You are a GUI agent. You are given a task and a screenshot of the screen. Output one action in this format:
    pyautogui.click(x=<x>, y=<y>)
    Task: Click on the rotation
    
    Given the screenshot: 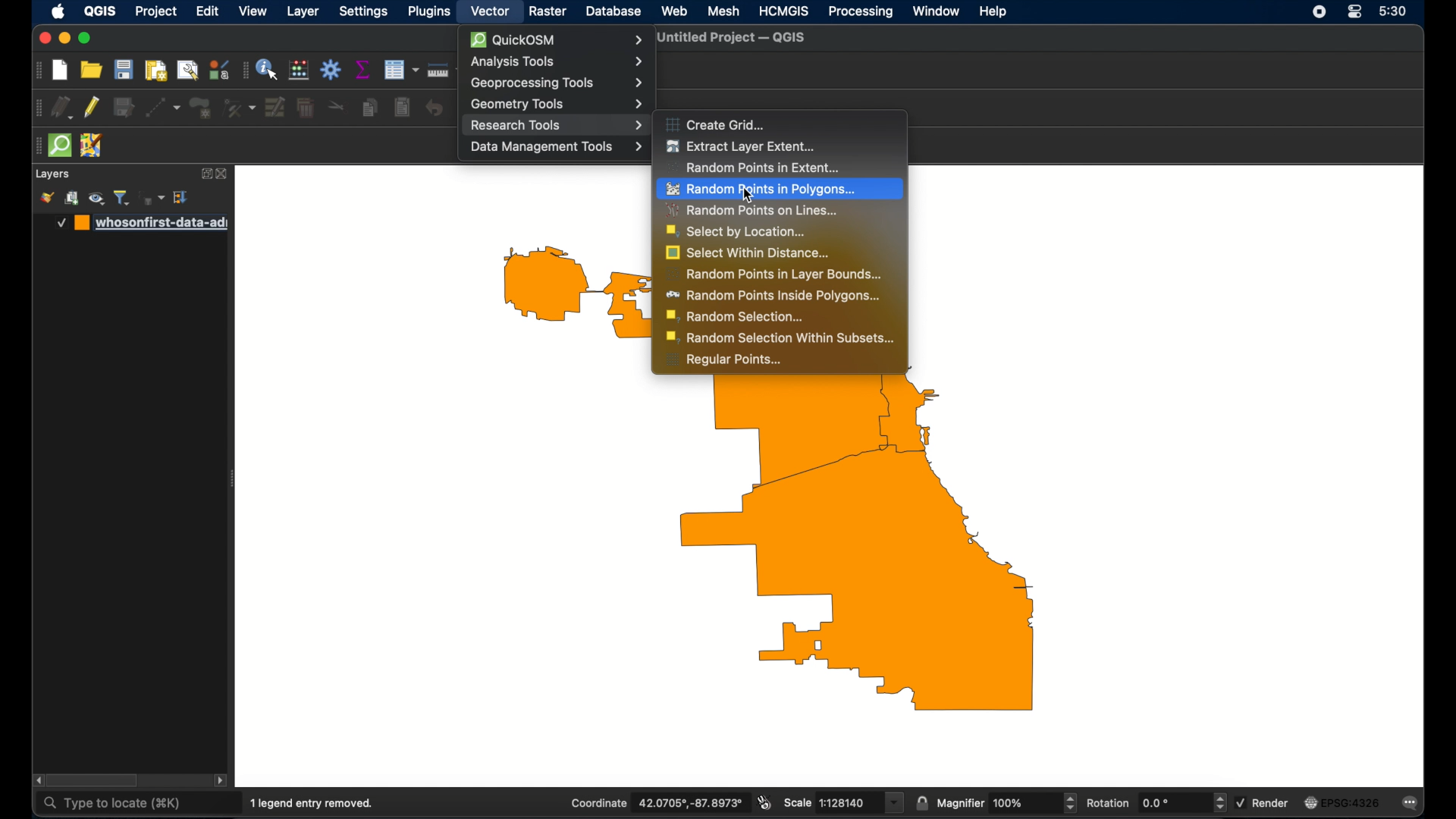 What is the action you would take?
    pyautogui.click(x=1156, y=802)
    